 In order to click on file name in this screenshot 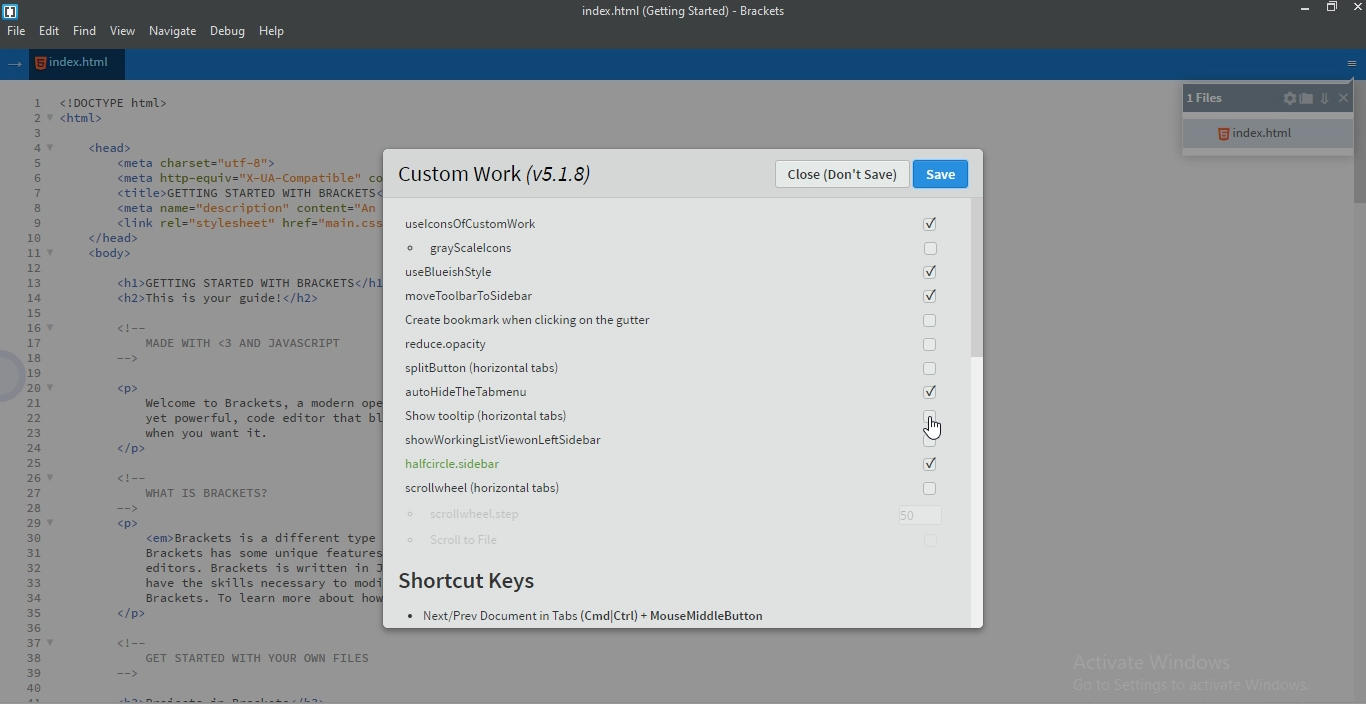, I will do `click(77, 63)`.